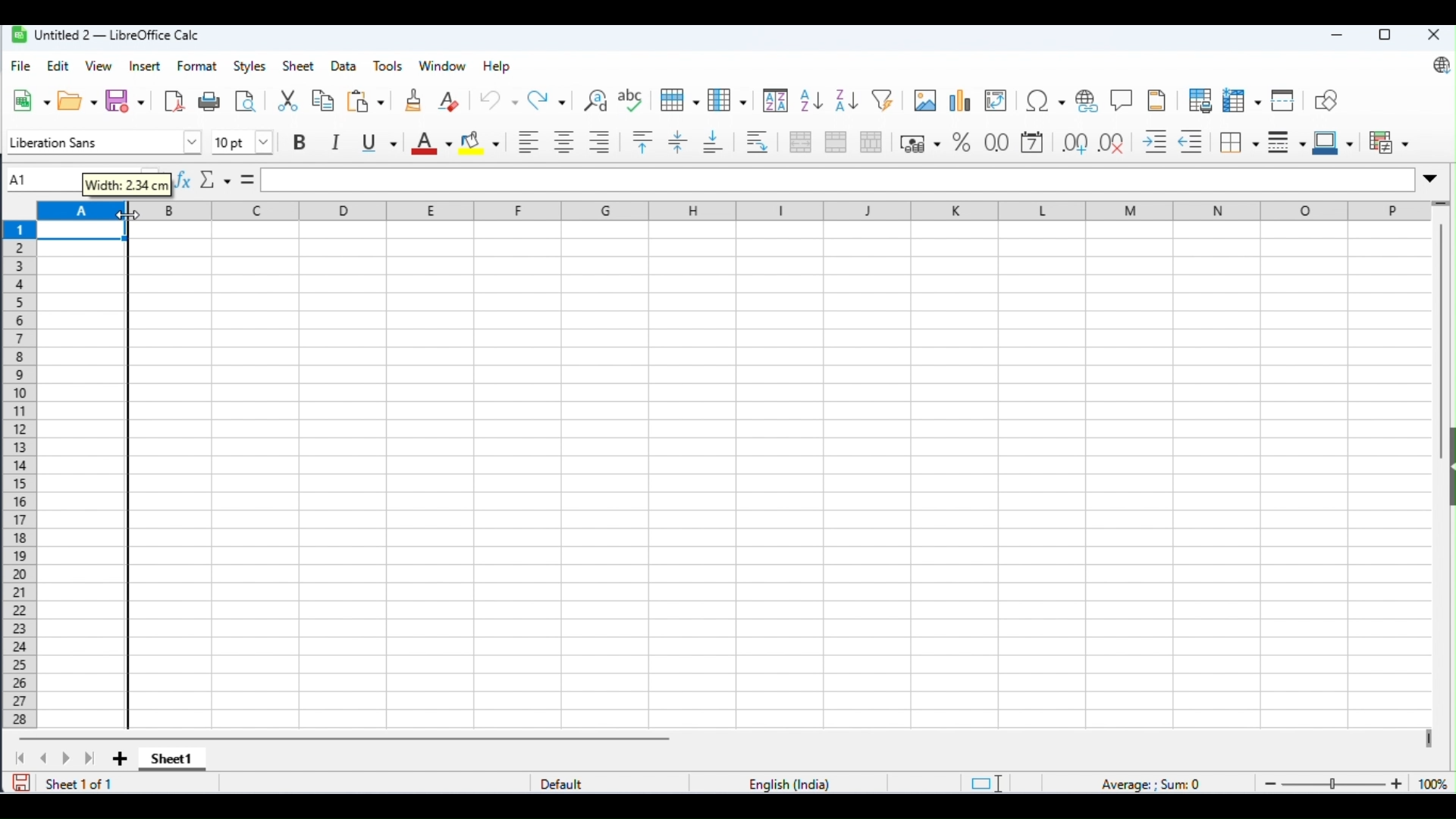 The height and width of the screenshot is (819, 1456). What do you see at coordinates (564, 141) in the screenshot?
I see `align center` at bounding box center [564, 141].